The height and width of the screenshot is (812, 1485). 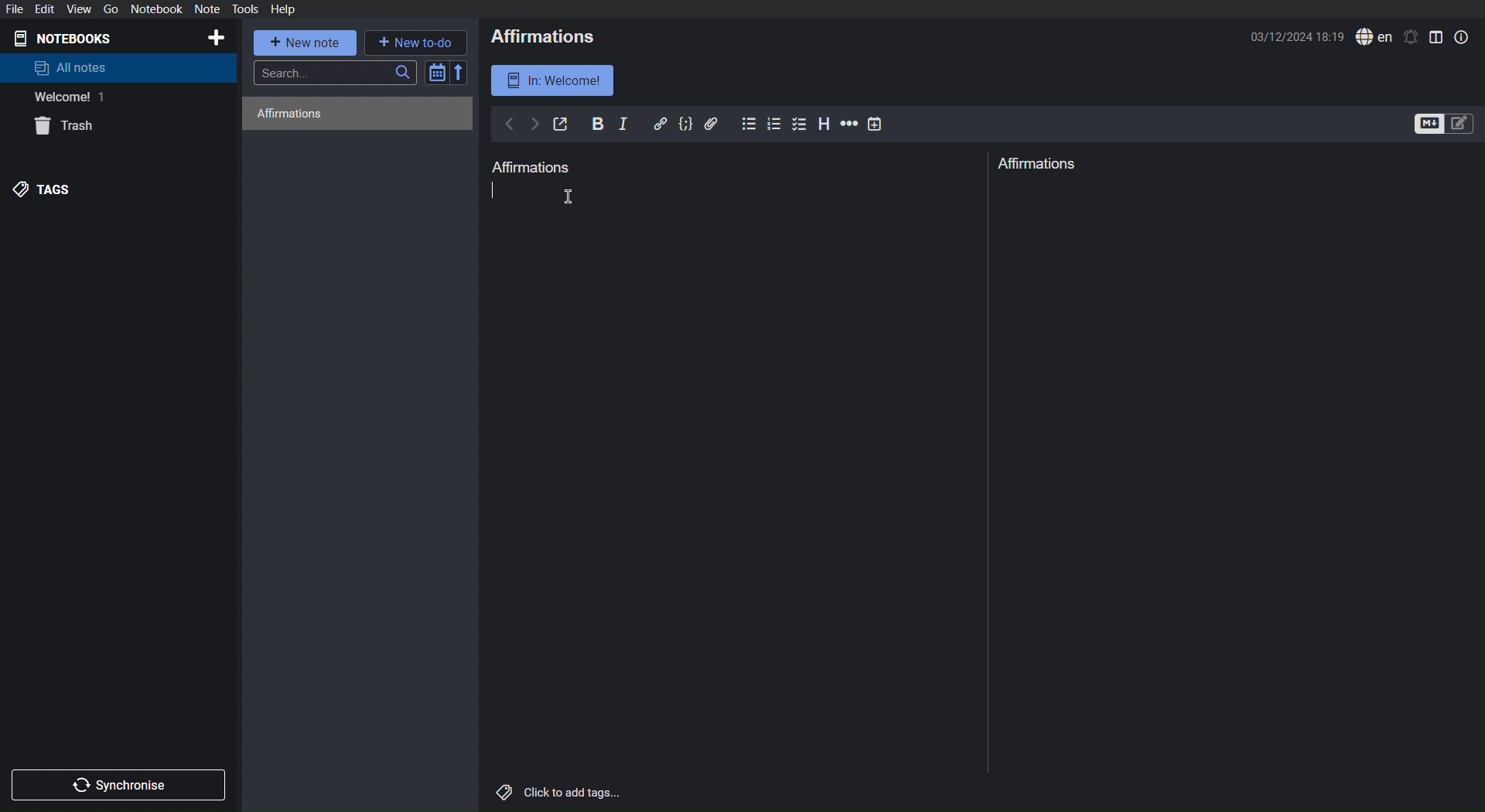 What do you see at coordinates (215, 38) in the screenshot?
I see `Add` at bounding box center [215, 38].